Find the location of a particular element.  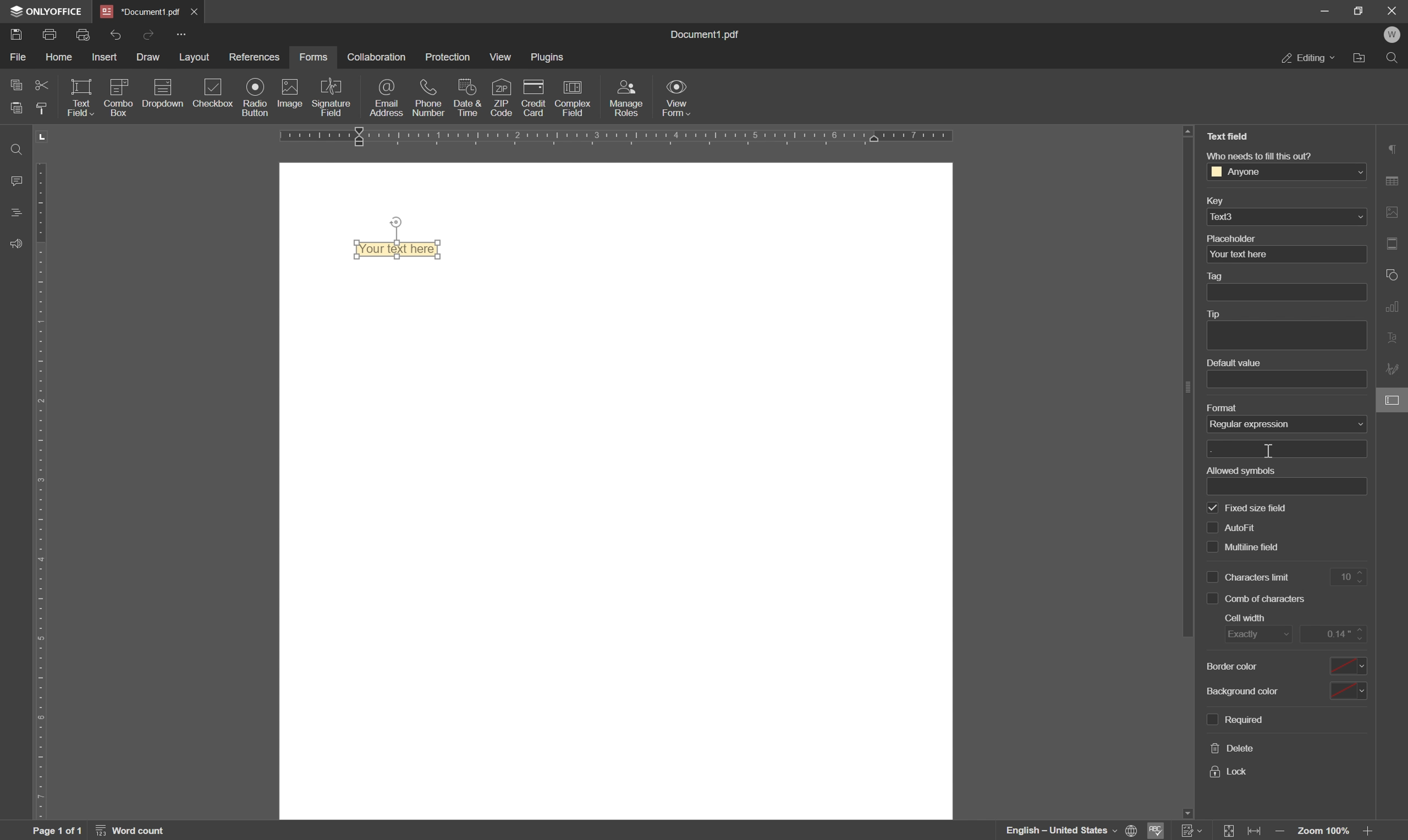

required is located at coordinates (1244, 719).